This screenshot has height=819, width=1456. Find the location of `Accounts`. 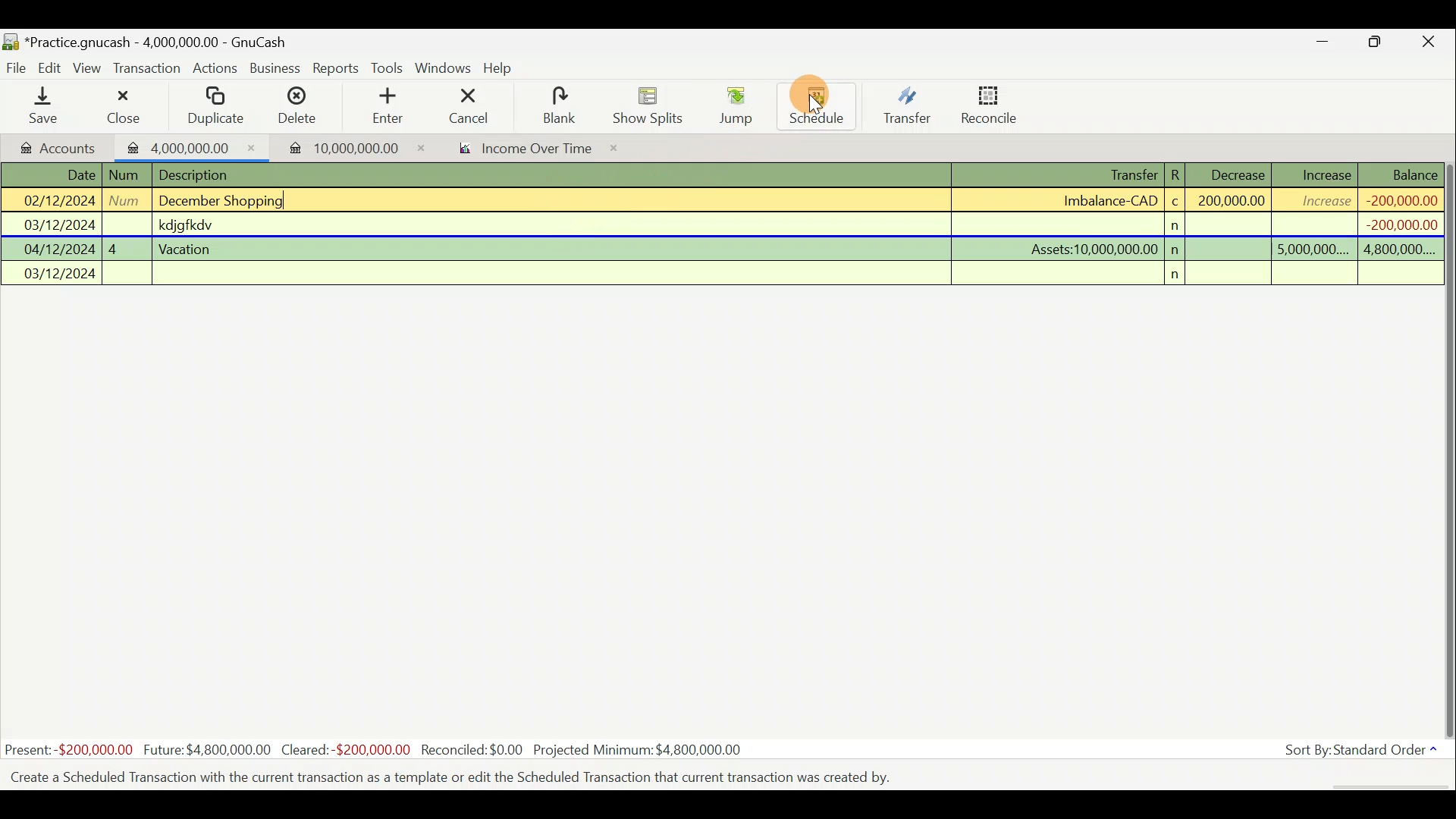

Accounts is located at coordinates (60, 146).